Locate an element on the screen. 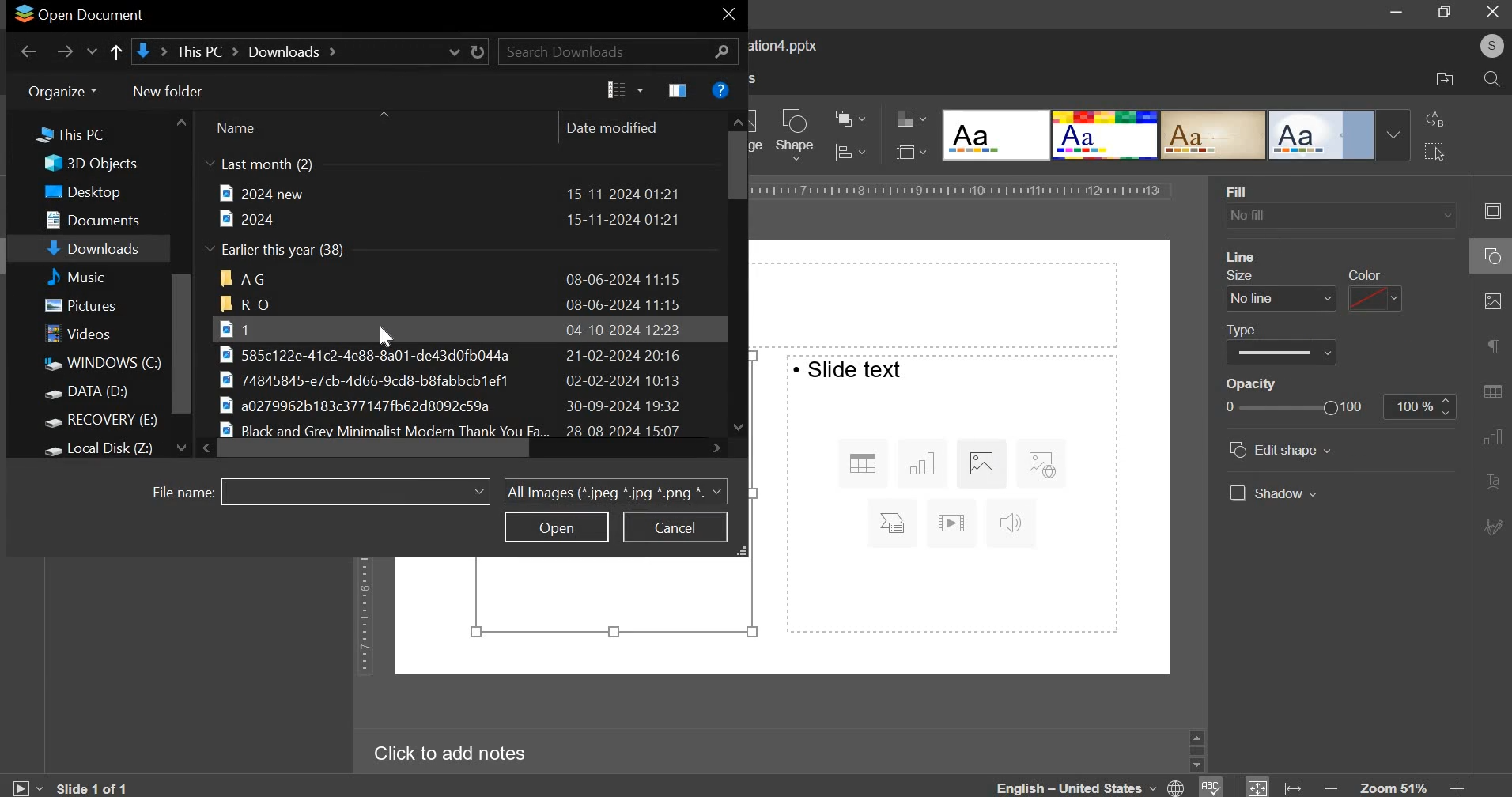 The width and height of the screenshot is (1512, 797). help is located at coordinates (720, 89).